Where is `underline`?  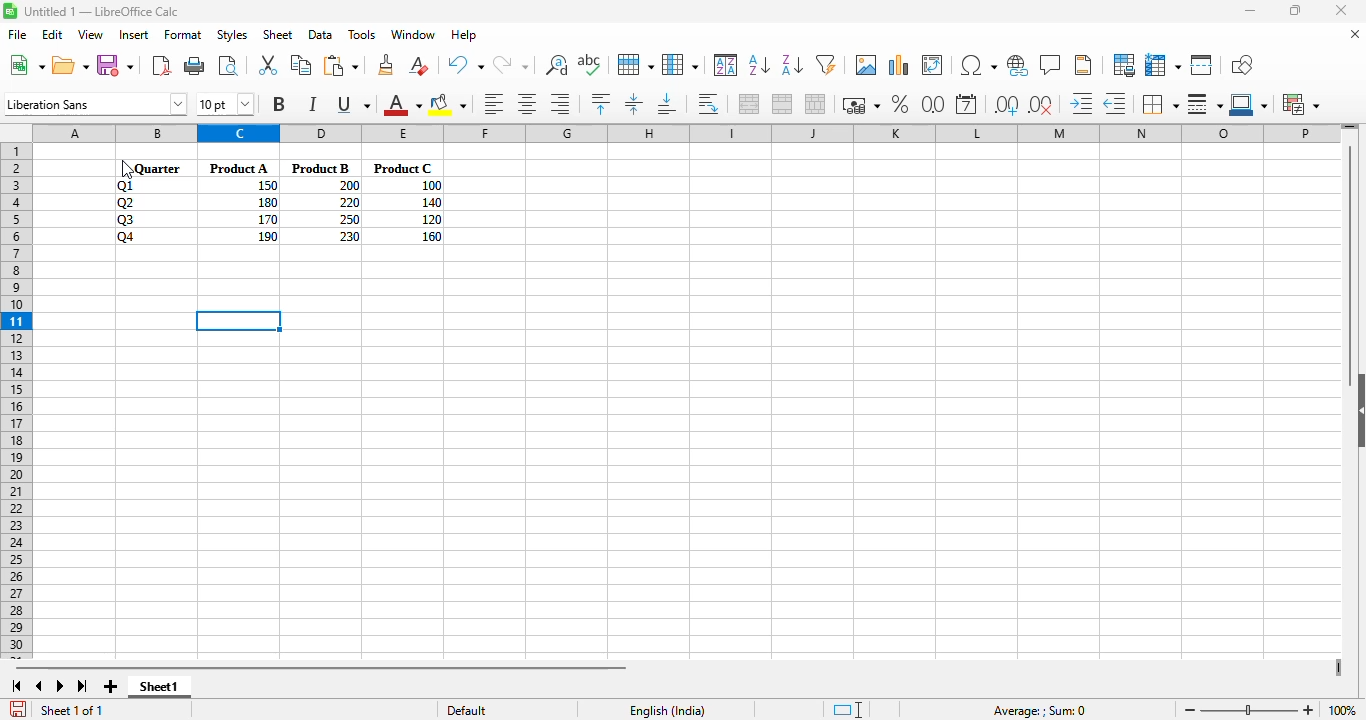 underline is located at coordinates (352, 104).